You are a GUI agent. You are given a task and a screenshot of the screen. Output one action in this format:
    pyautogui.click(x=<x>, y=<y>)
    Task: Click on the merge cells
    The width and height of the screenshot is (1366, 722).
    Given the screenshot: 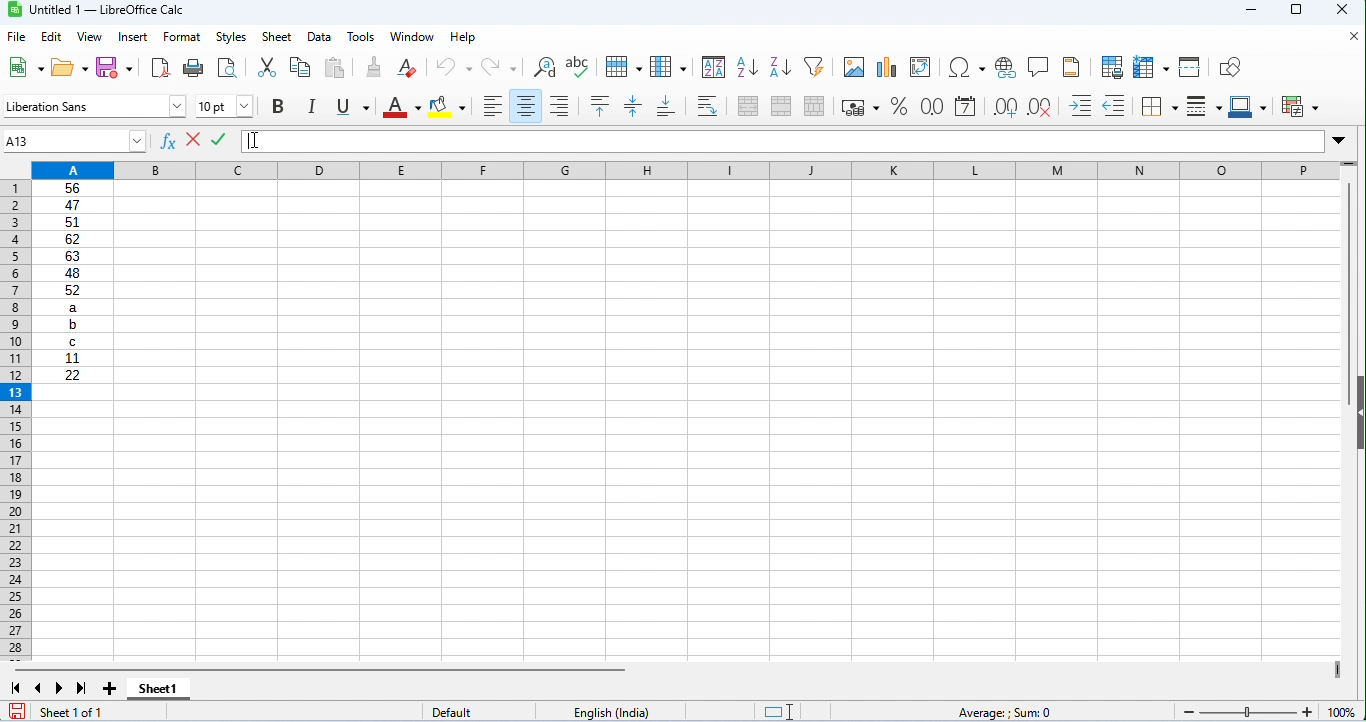 What is the action you would take?
    pyautogui.click(x=780, y=104)
    